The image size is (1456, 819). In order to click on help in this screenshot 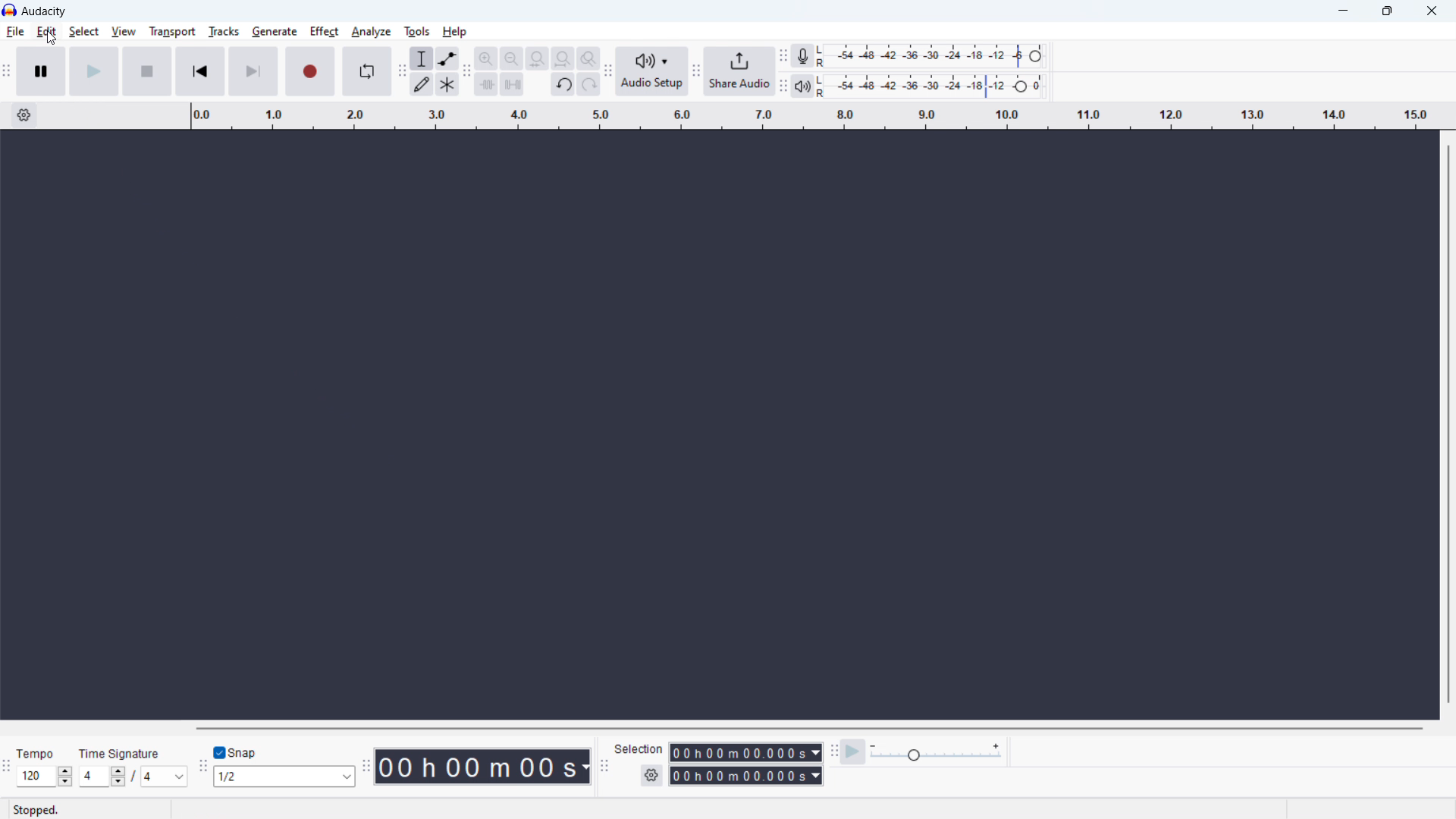, I will do `click(456, 32)`.